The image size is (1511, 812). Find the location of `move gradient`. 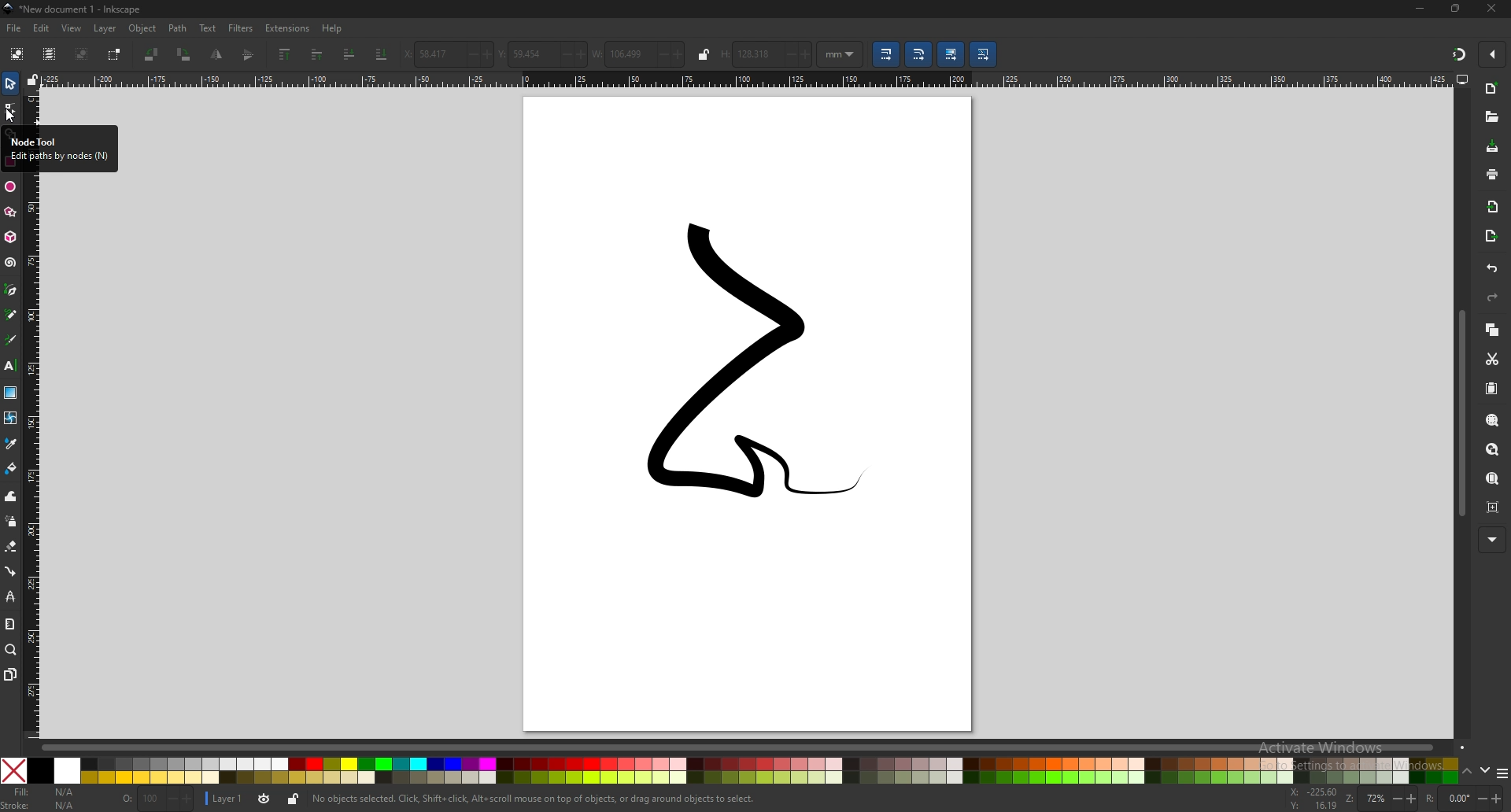

move gradient is located at coordinates (951, 54).